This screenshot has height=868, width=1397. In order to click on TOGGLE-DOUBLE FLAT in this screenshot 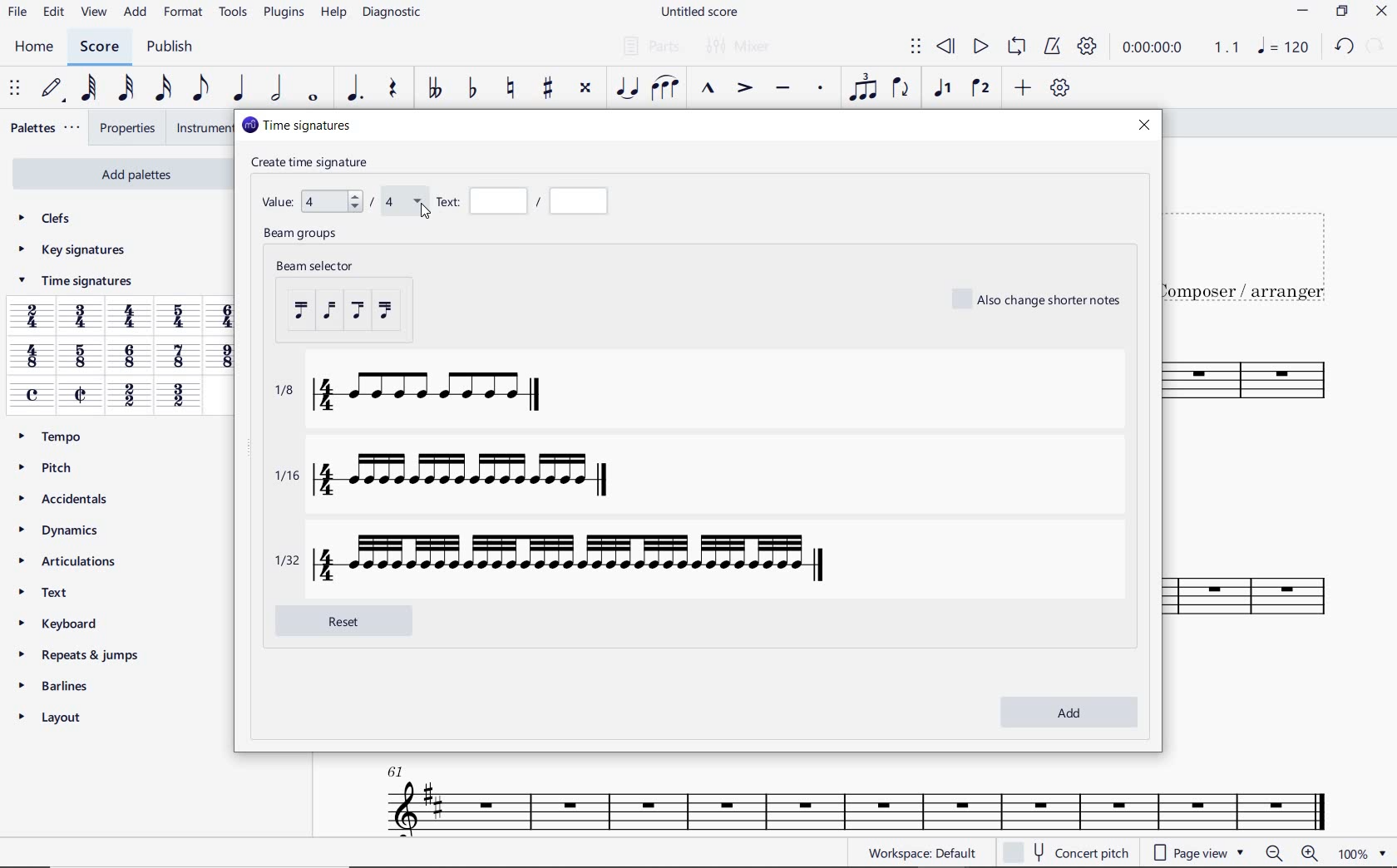, I will do `click(434, 89)`.